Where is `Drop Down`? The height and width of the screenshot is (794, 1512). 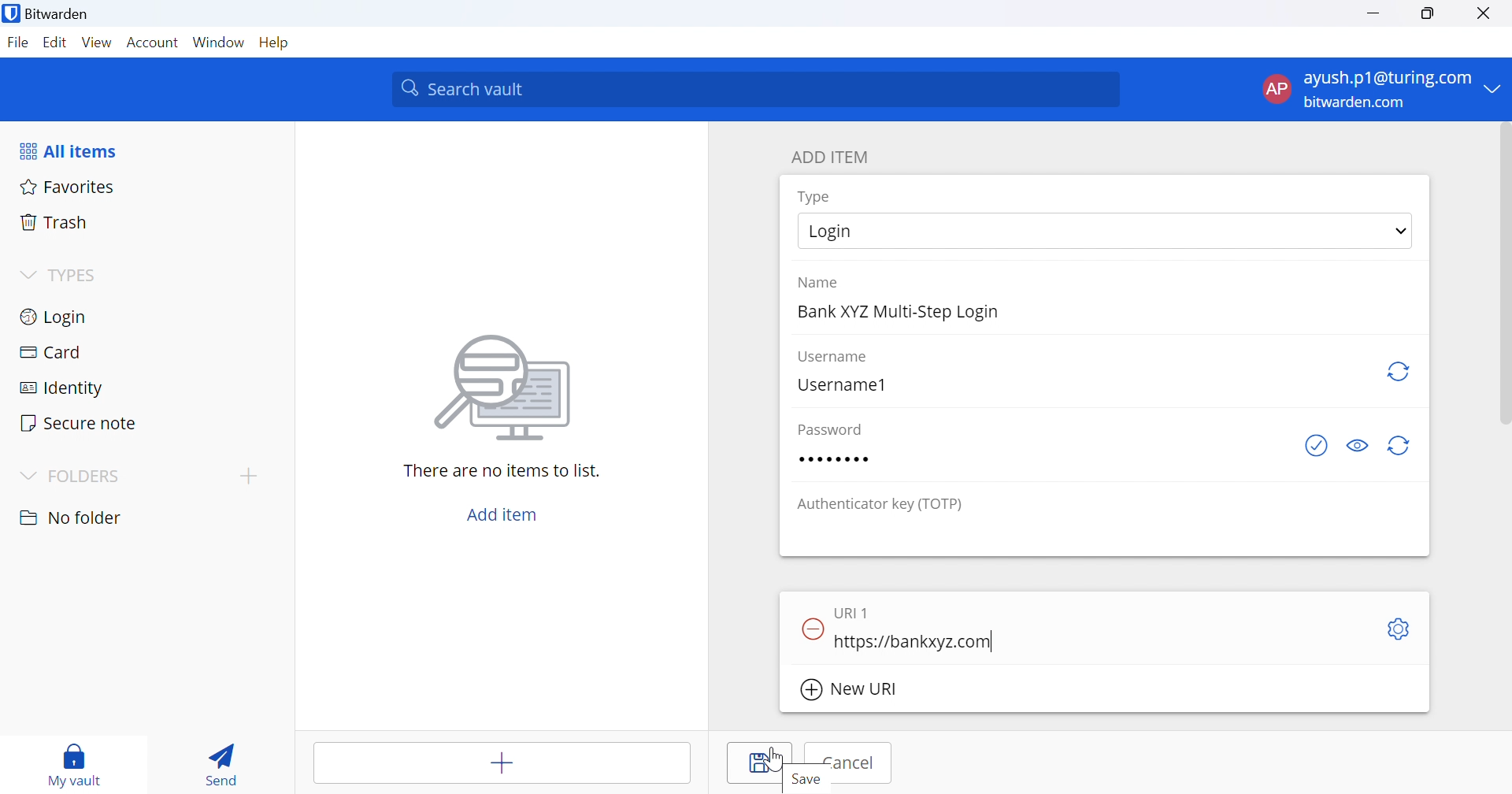 Drop Down is located at coordinates (1497, 90).